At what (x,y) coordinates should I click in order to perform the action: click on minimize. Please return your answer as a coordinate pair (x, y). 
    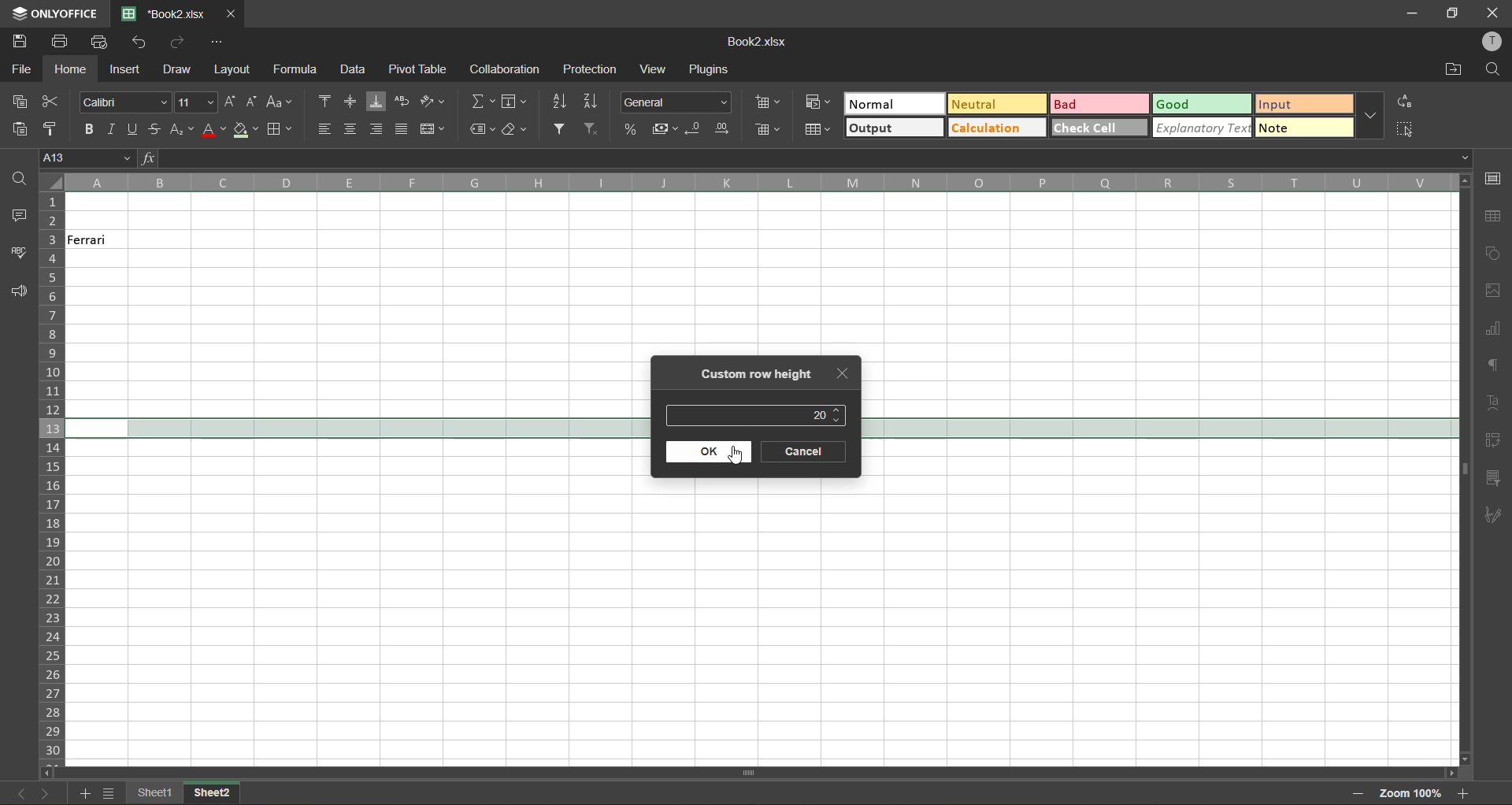
    Looking at the image, I should click on (1410, 12).